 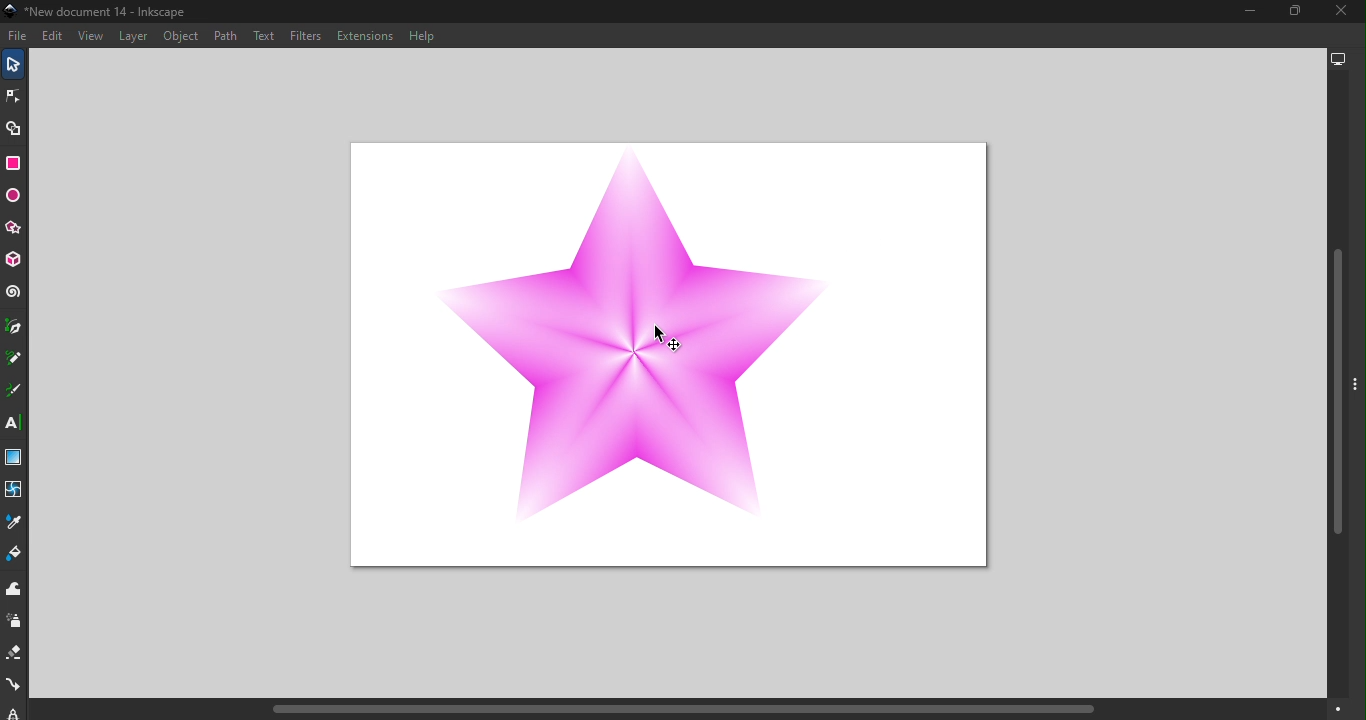 I want to click on Filters, so click(x=307, y=35).